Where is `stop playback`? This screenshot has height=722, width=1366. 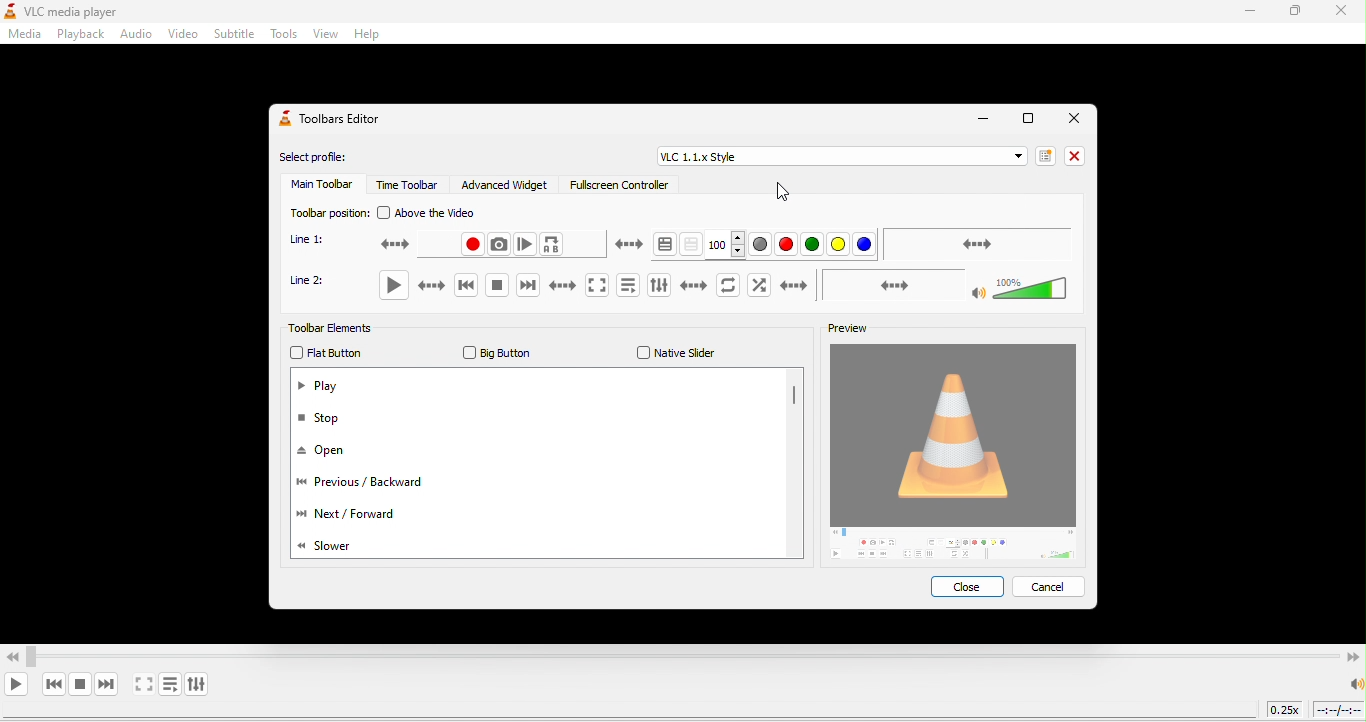
stop playback is located at coordinates (79, 684).